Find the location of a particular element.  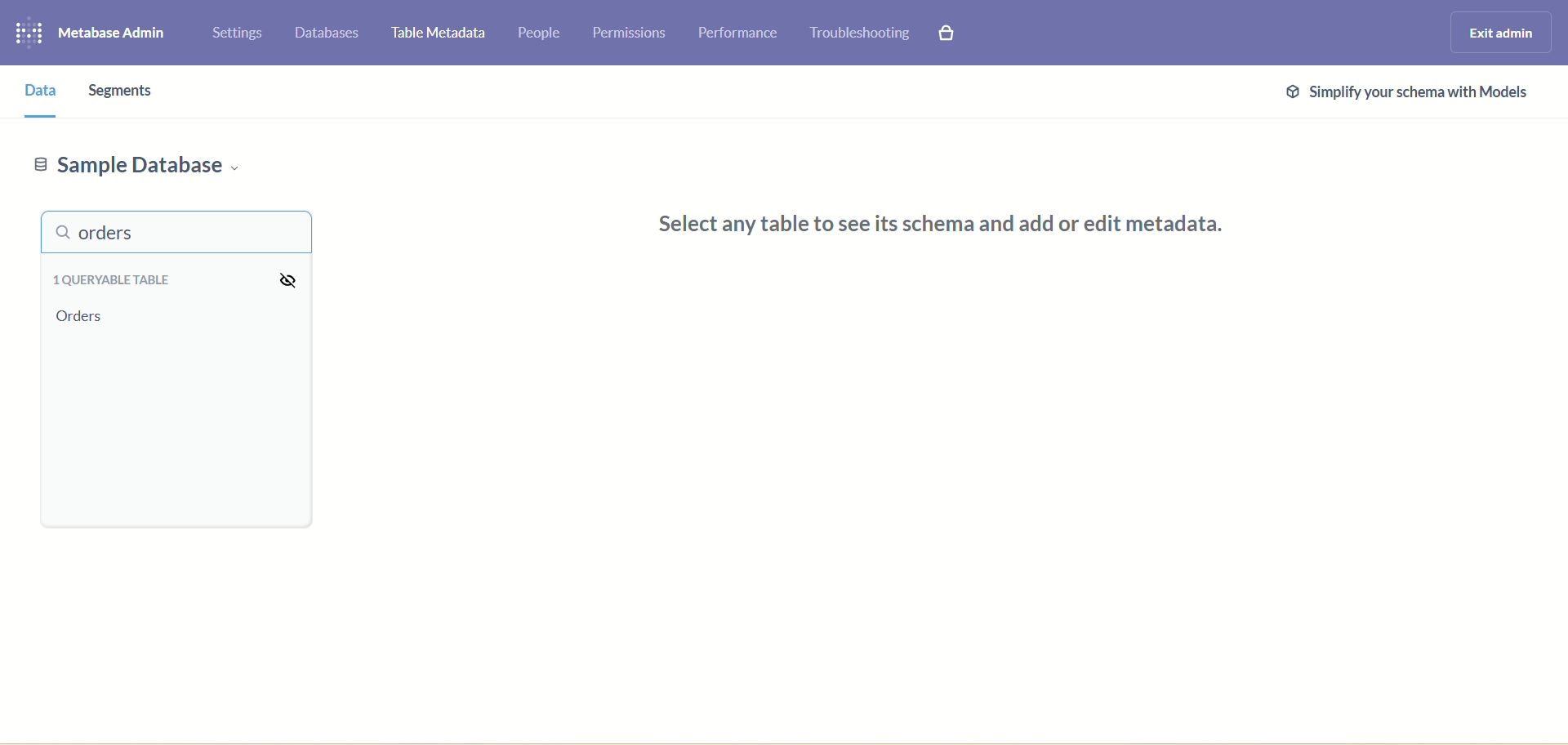

databases is located at coordinates (329, 33).